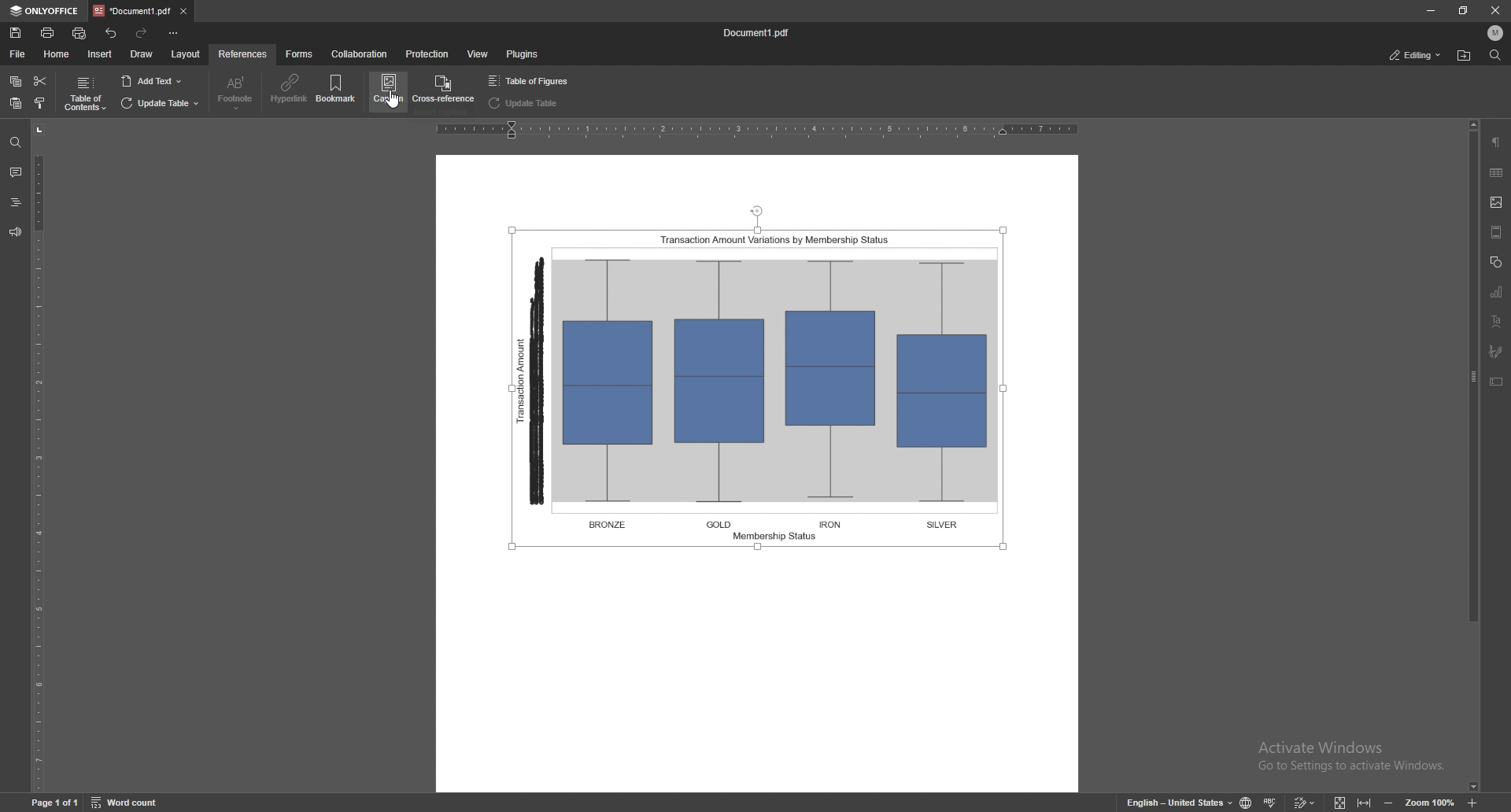  Describe the element at coordinates (1495, 32) in the screenshot. I see `profile` at that location.